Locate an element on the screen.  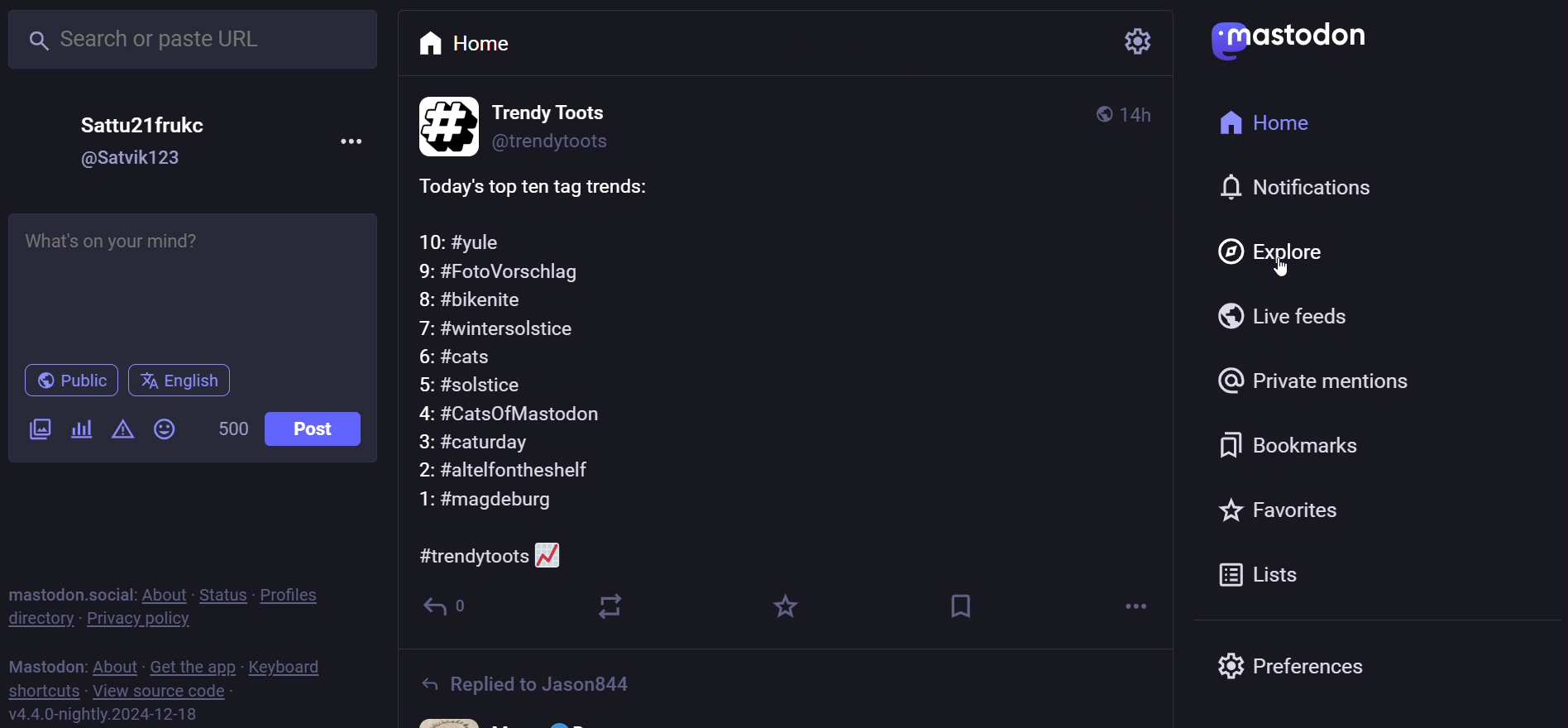
v4.4.0-nightly.2024-12-18 is located at coordinates (128, 715).